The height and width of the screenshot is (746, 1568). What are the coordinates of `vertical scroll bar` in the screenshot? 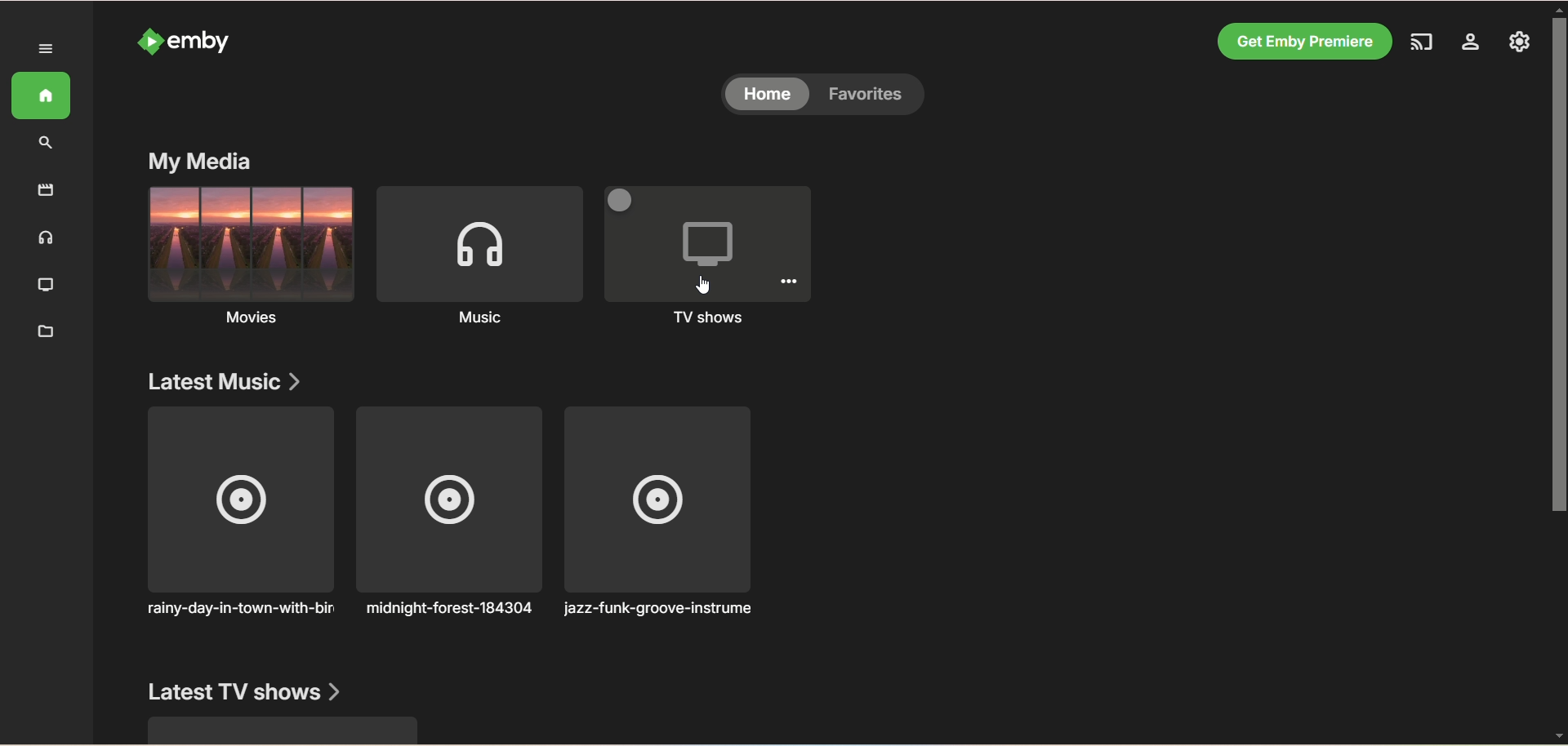 It's located at (1558, 373).